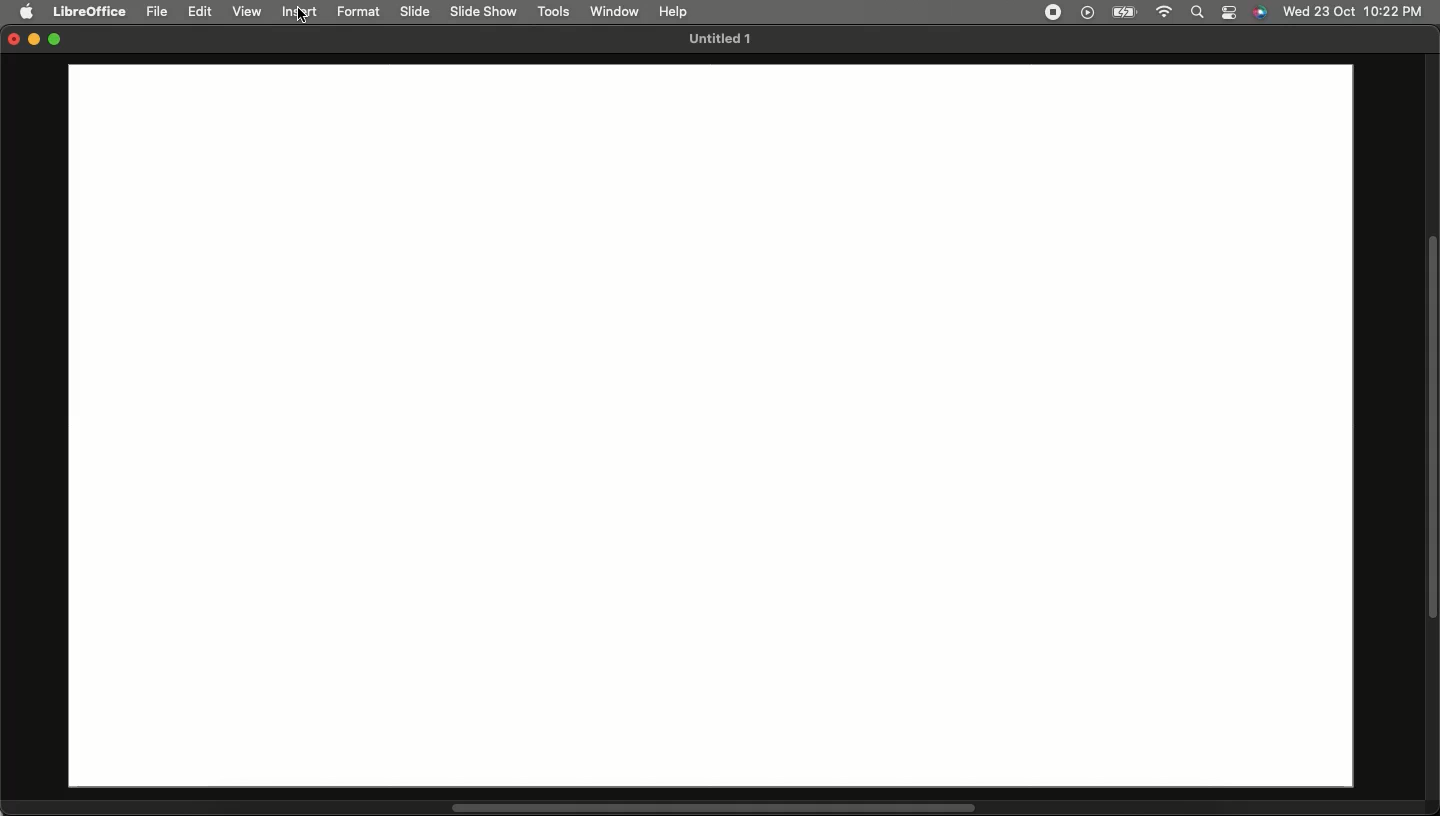  What do you see at coordinates (159, 12) in the screenshot?
I see `File` at bounding box center [159, 12].